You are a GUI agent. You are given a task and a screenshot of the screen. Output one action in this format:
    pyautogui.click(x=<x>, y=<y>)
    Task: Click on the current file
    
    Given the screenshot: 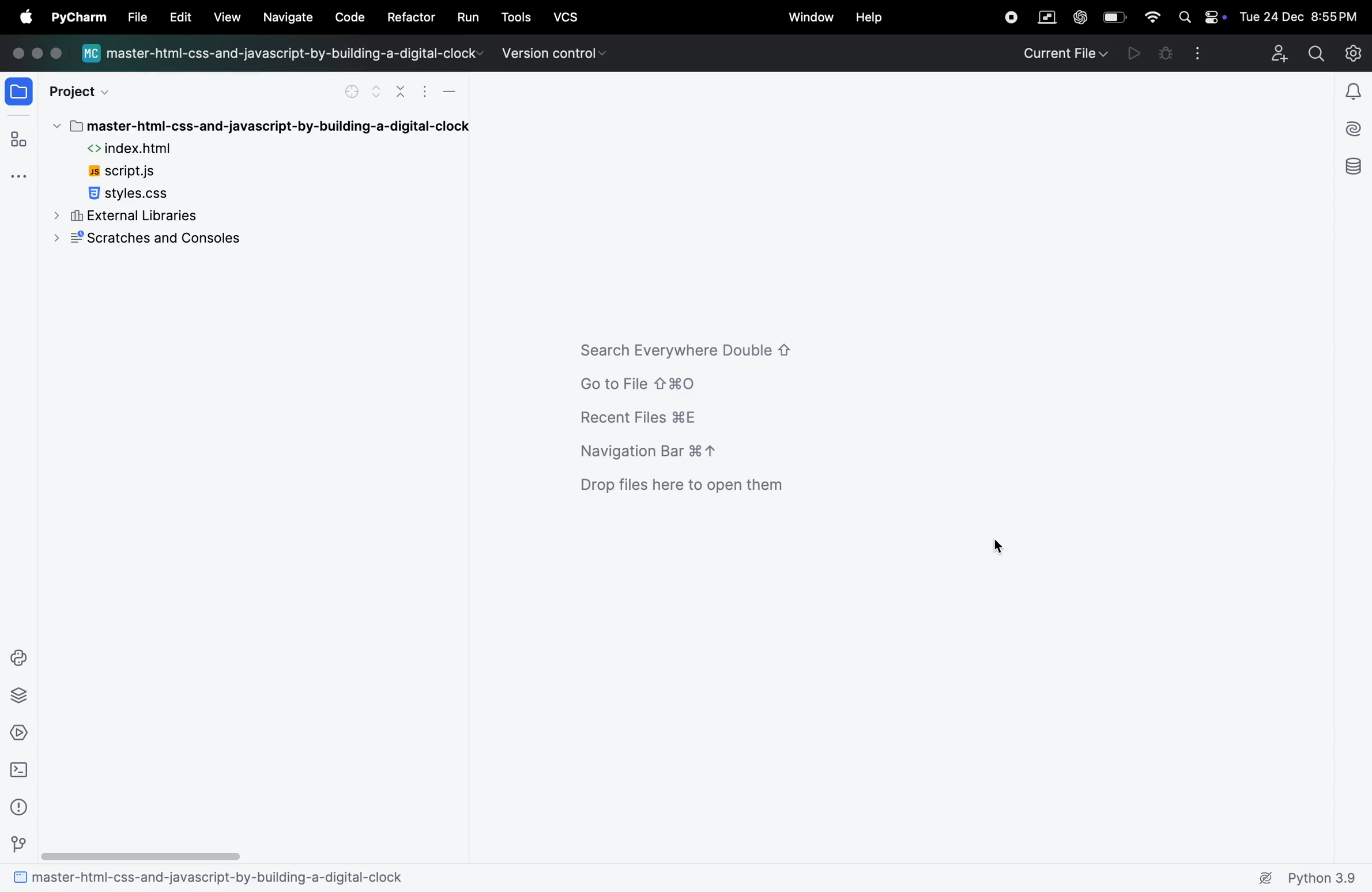 What is the action you would take?
    pyautogui.click(x=1065, y=52)
    